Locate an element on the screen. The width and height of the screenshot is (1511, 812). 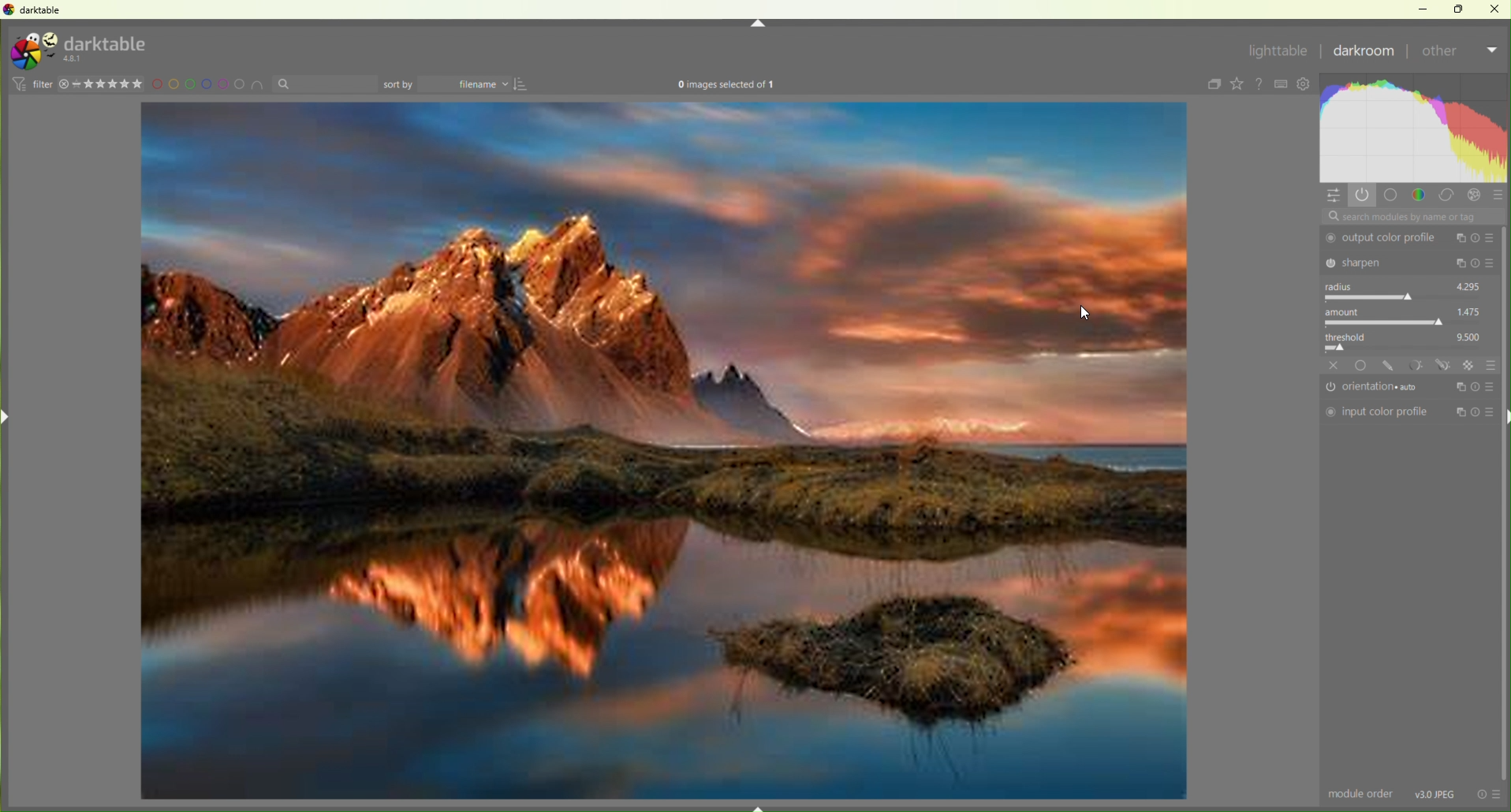
input slider is located at coordinates (1408, 348).